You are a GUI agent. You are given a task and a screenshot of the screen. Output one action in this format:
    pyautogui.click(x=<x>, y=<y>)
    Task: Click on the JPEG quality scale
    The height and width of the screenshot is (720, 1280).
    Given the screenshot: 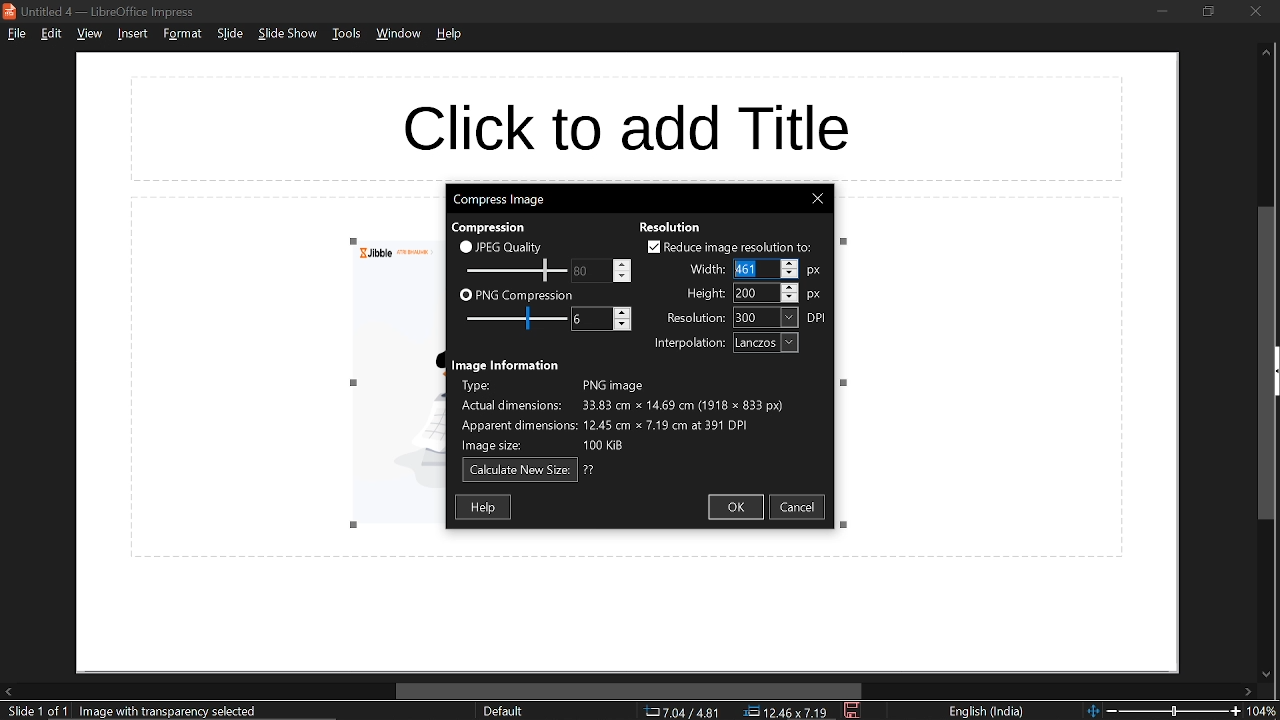 What is the action you would take?
    pyautogui.click(x=517, y=269)
    